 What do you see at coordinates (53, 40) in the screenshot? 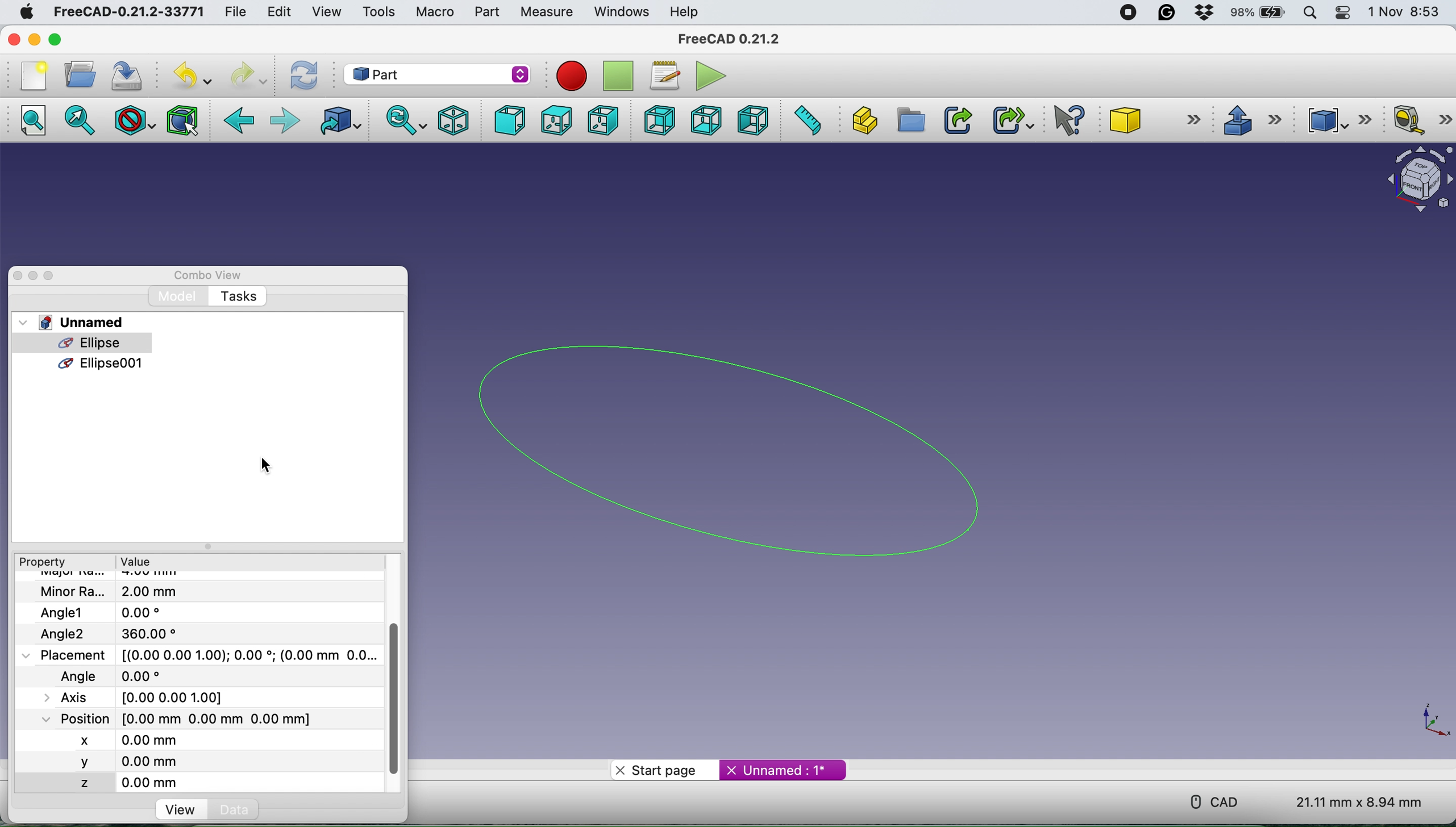
I see `maximise` at bounding box center [53, 40].